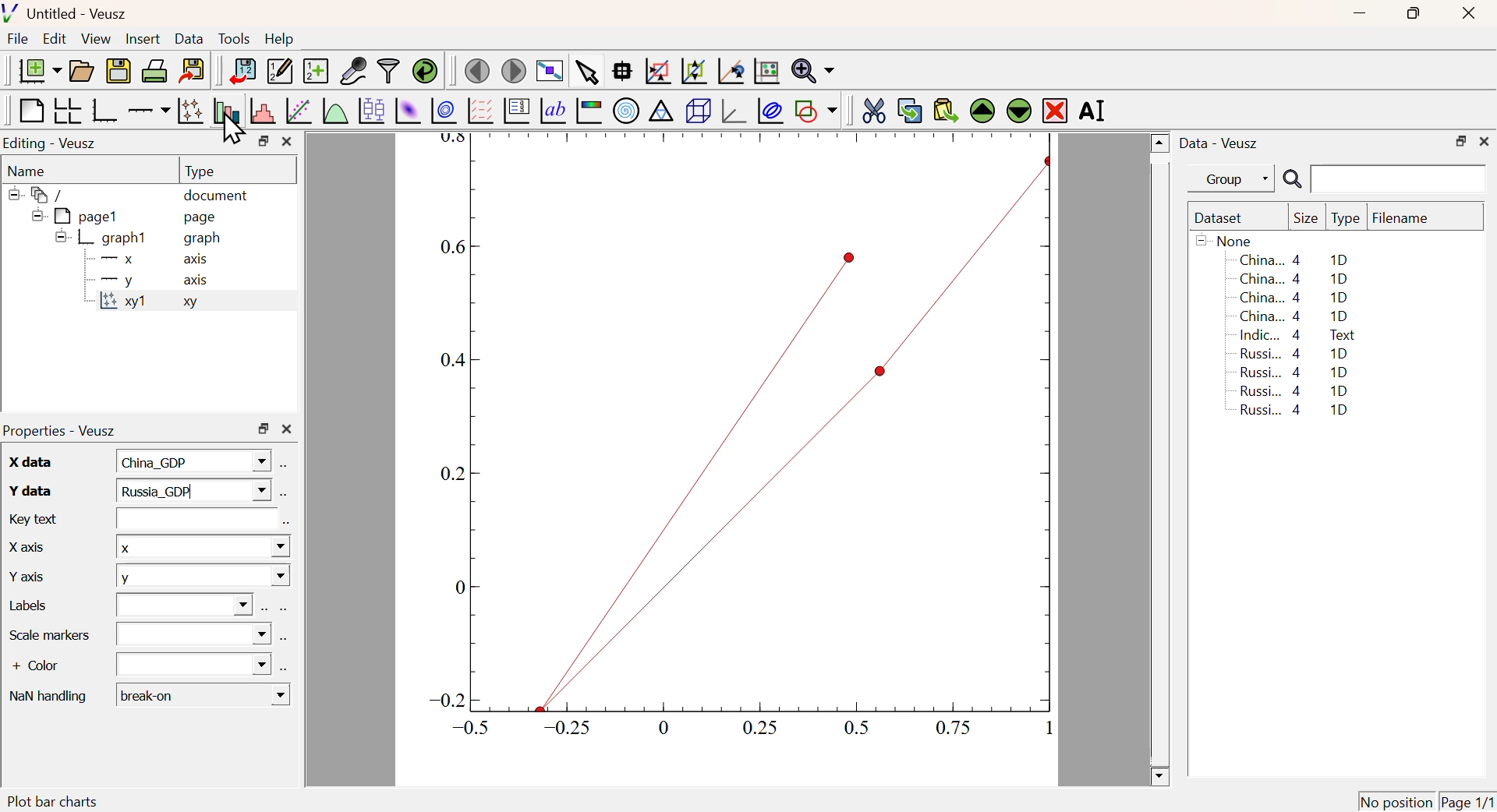  What do you see at coordinates (407, 111) in the screenshot?
I see `Plot 2D set as image` at bounding box center [407, 111].